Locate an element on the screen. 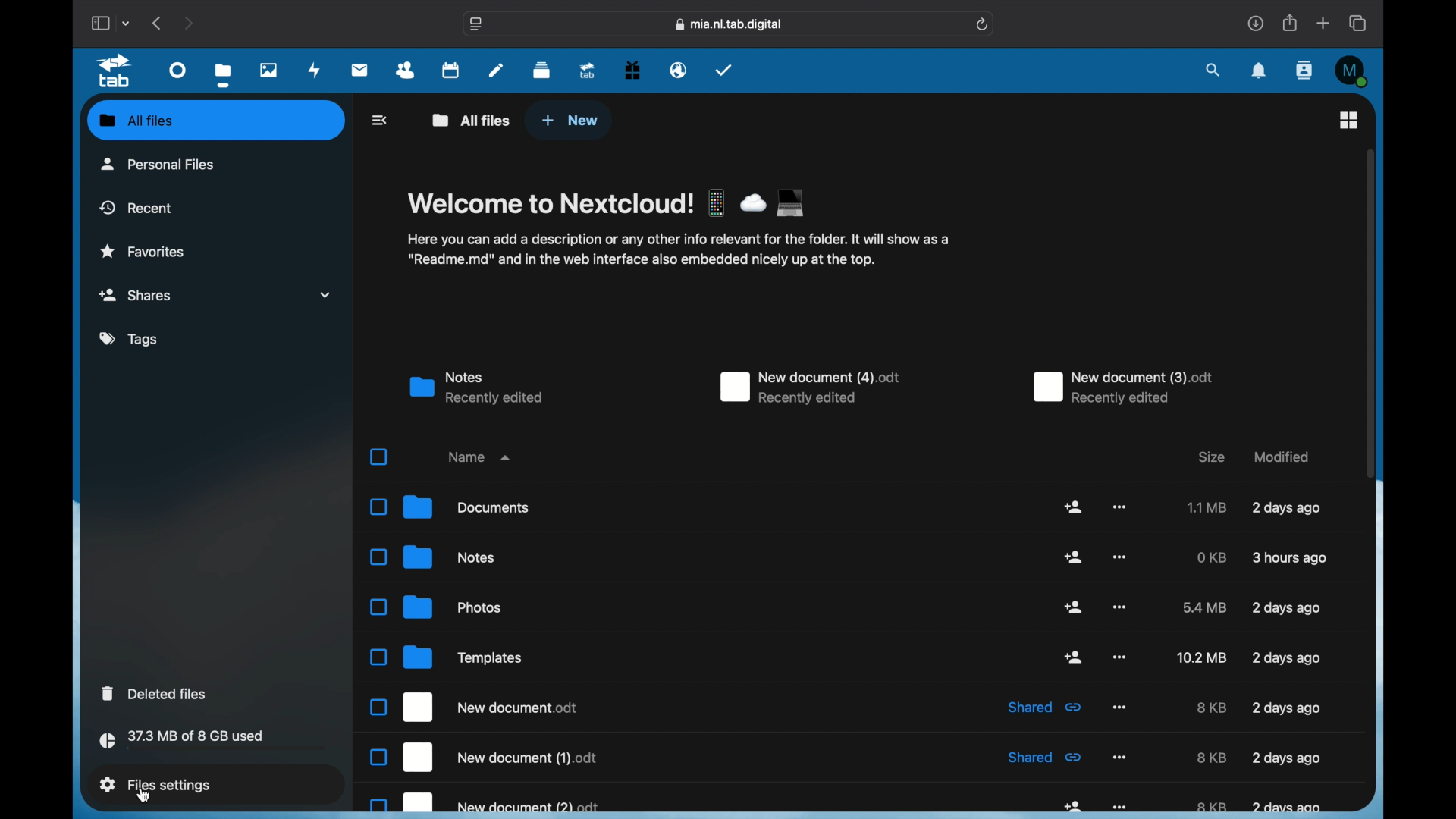 This screenshot has width=1456, height=819. more options is located at coordinates (1119, 556).